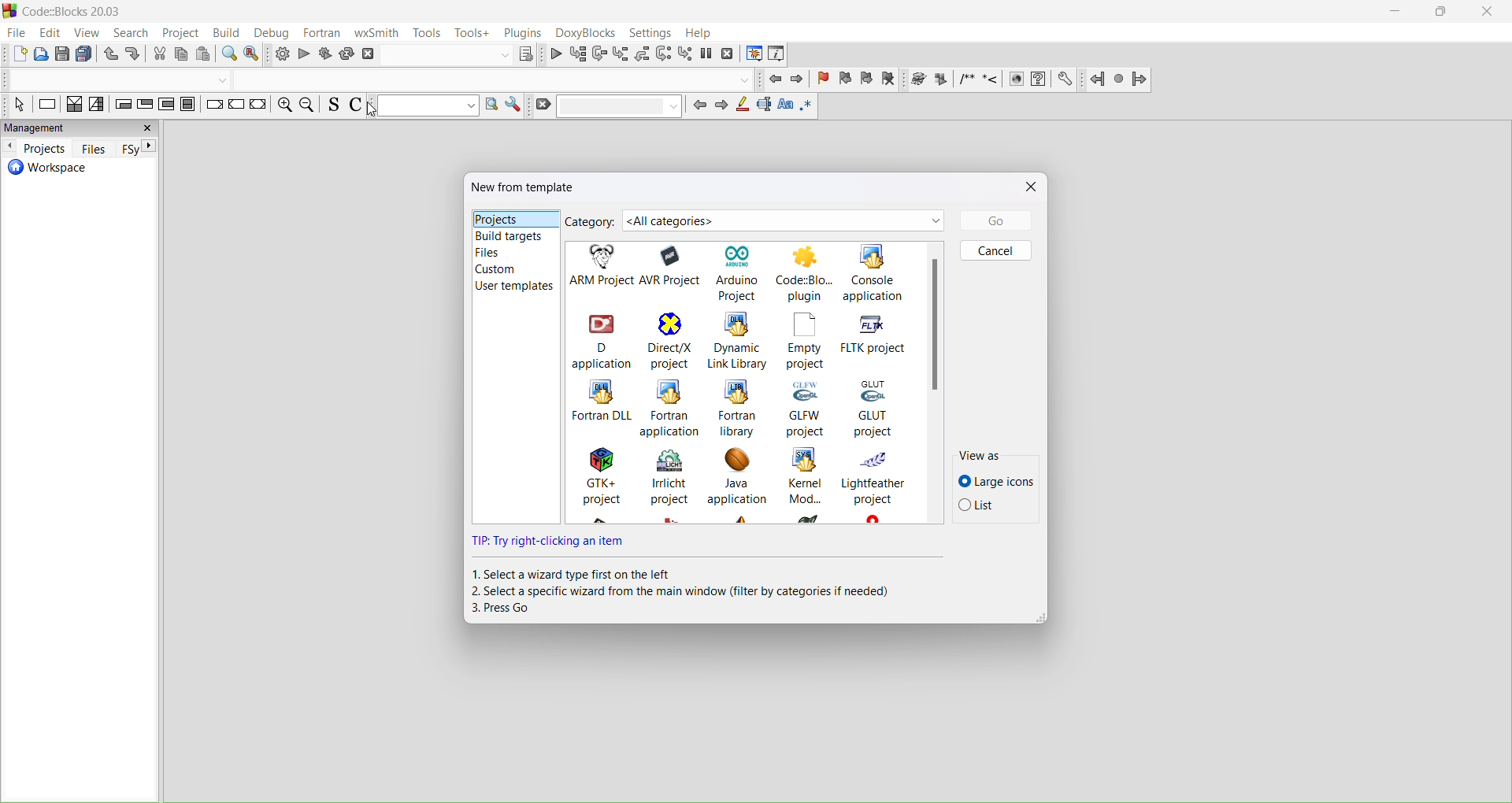  Describe the element at coordinates (708, 53) in the screenshot. I see `break debugger` at that location.